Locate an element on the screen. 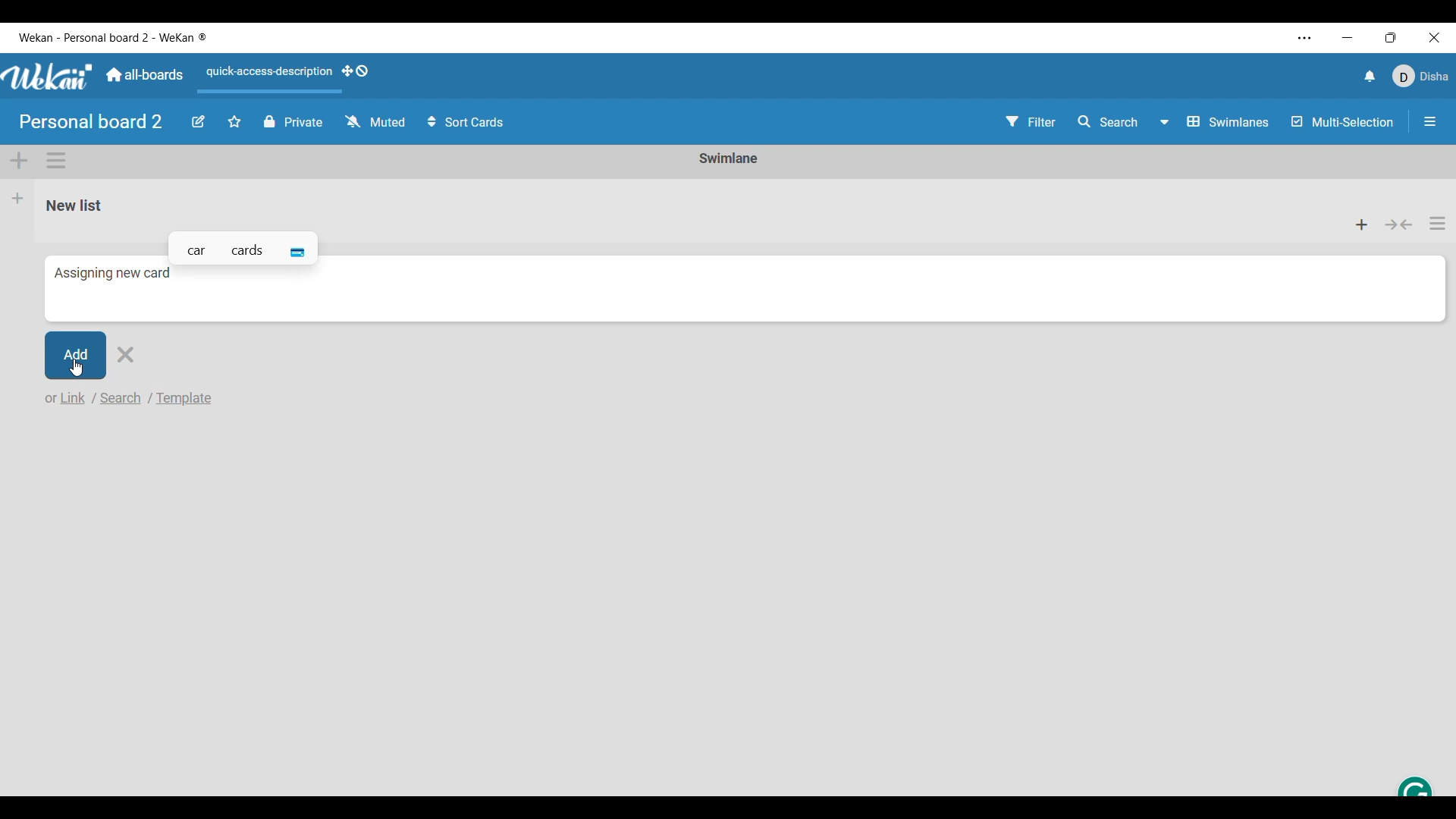 This screenshot has height=819, width=1456. Search is located at coordinates (1109, 121).